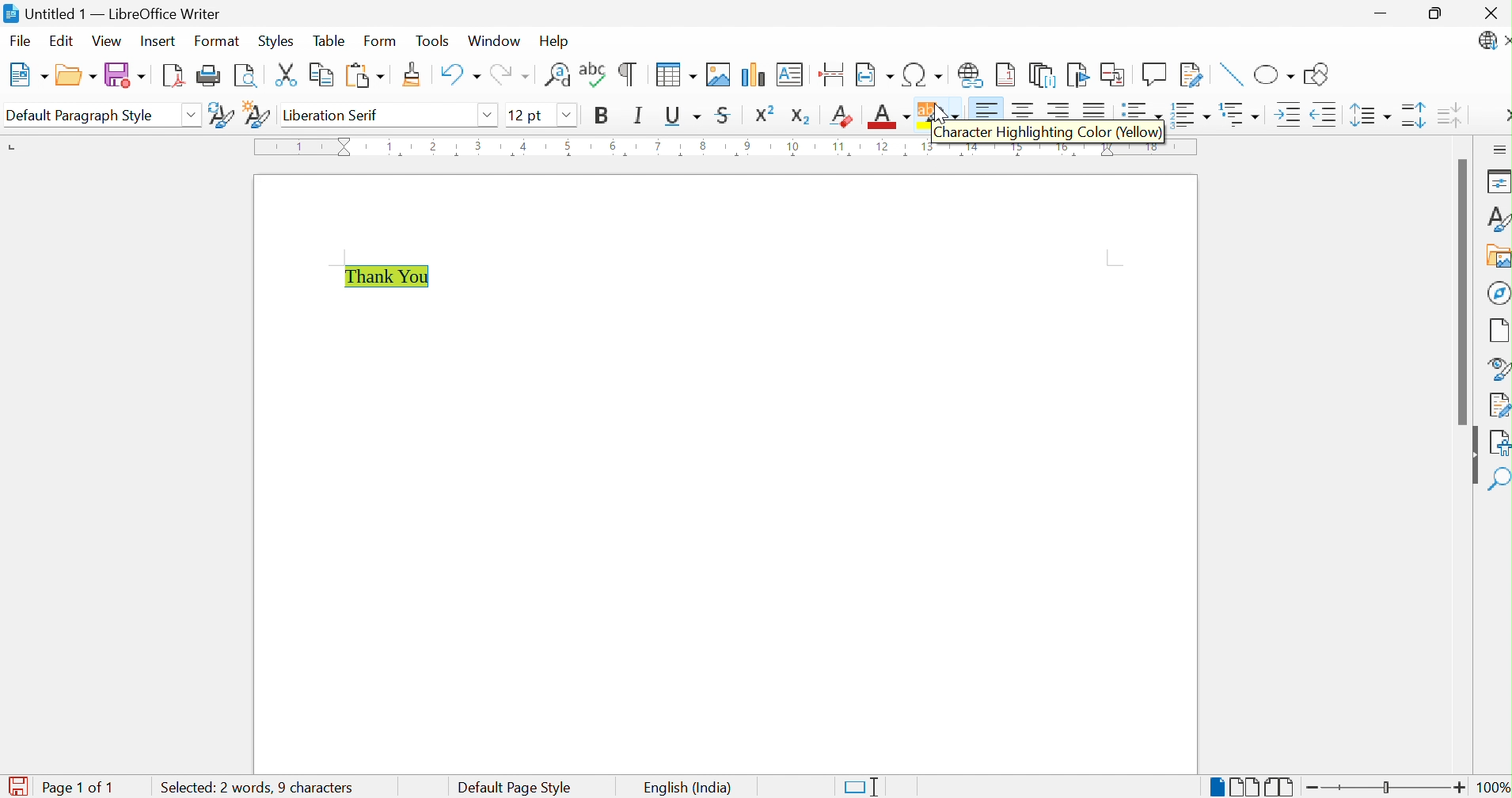  I want to click on Sidebar Settings, so click(1499, 149).